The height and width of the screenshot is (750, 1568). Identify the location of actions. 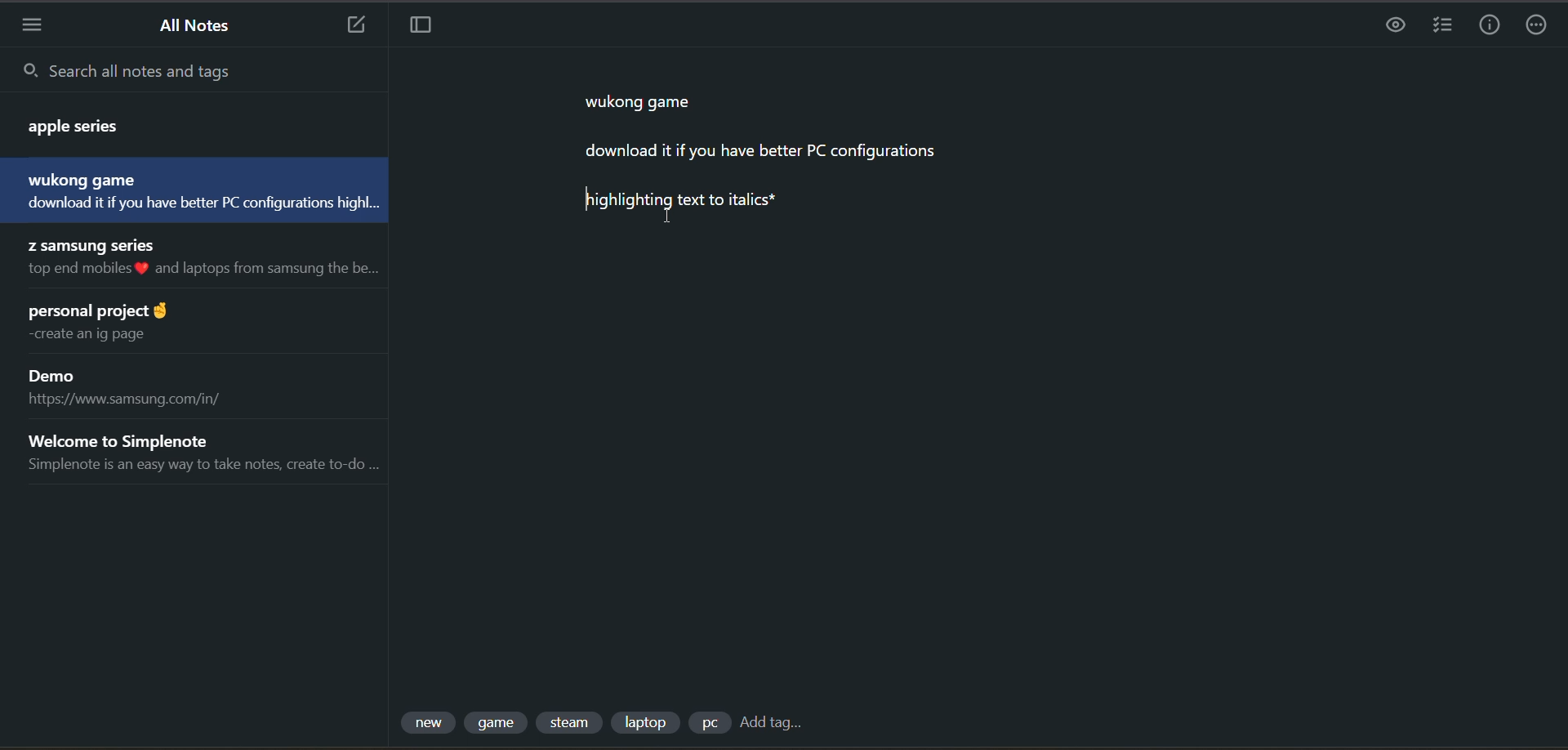
(1541, 27).